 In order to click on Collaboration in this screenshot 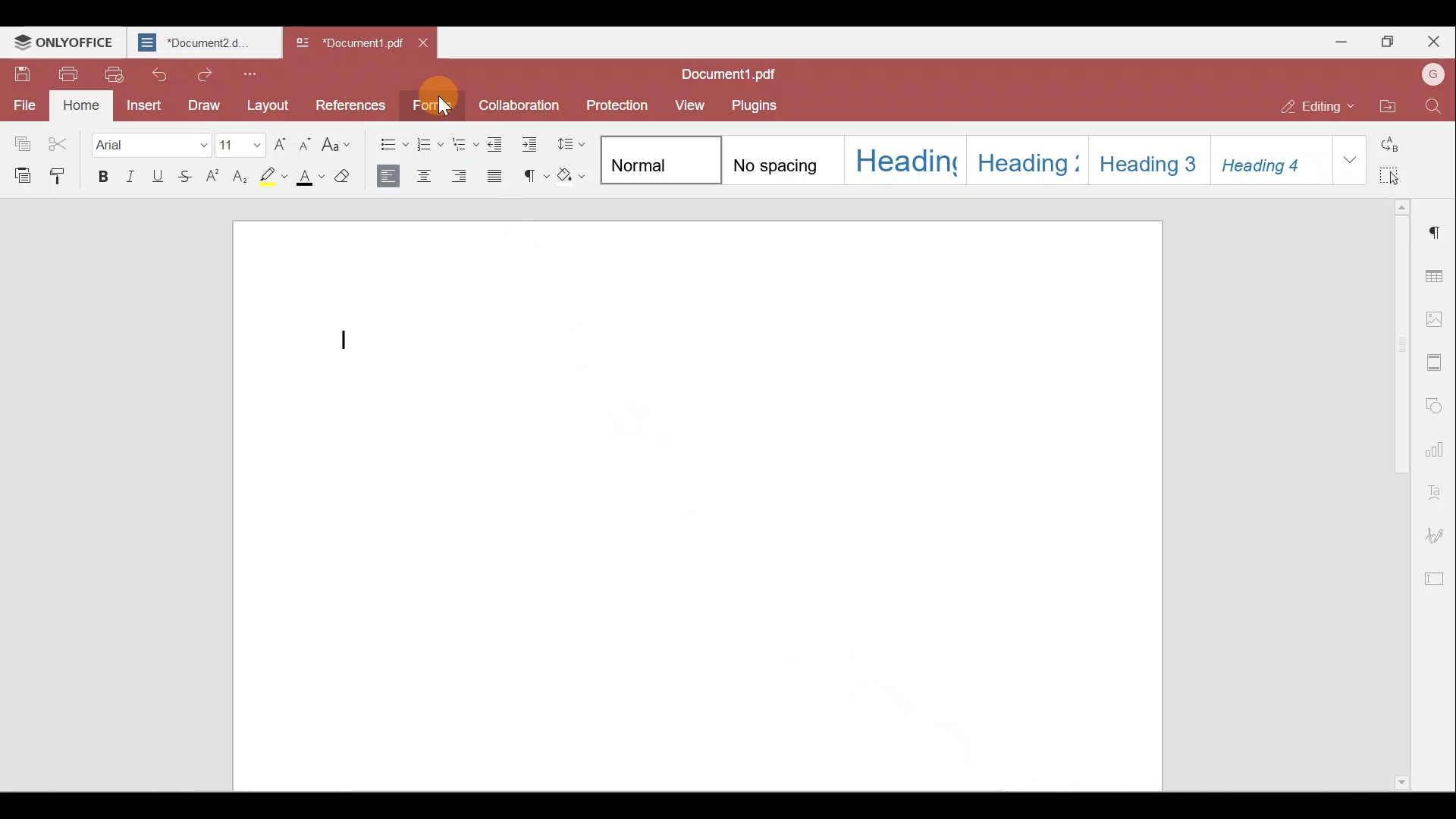, I will do `click(524, 103)`.